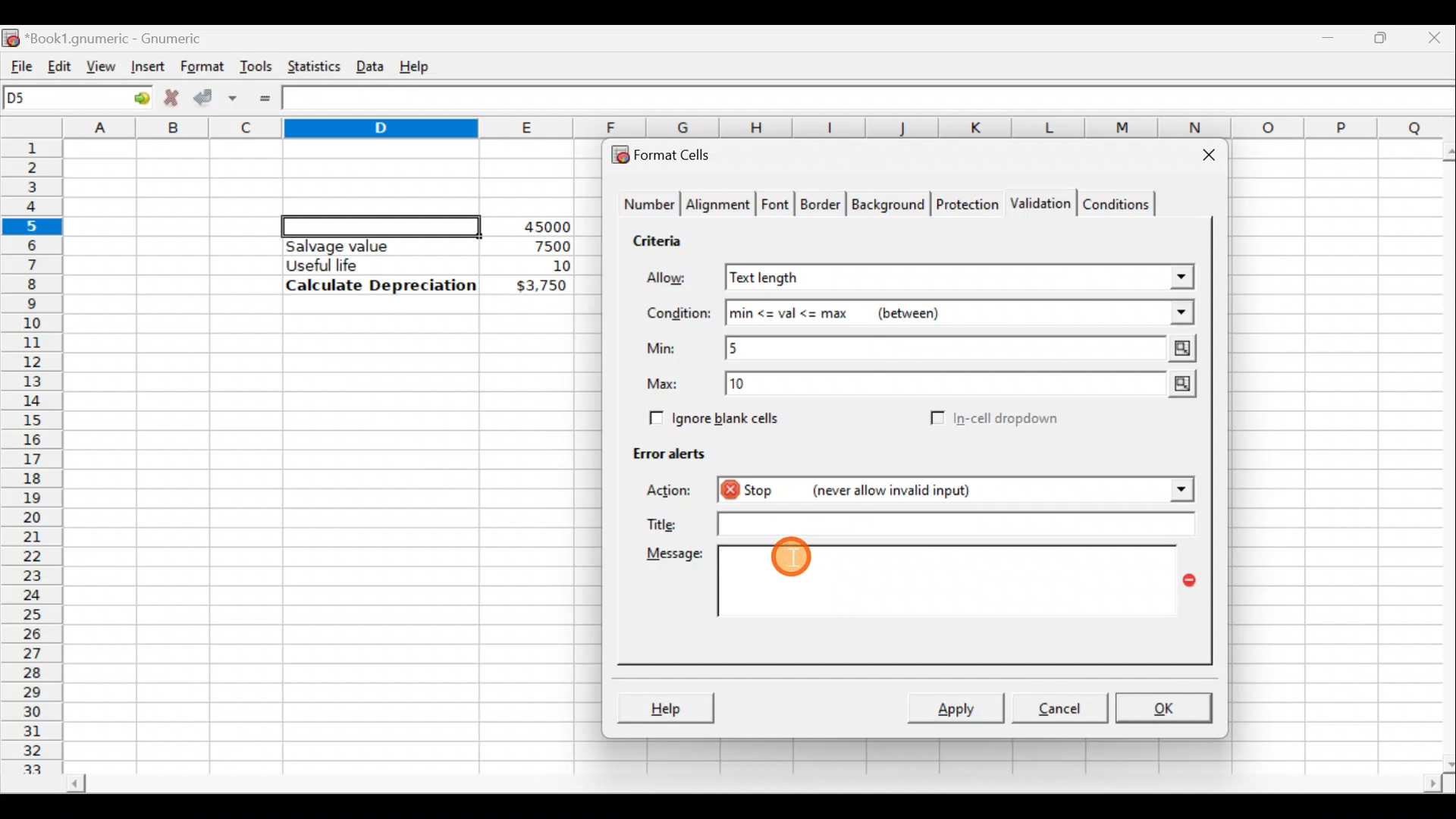  I want to click on View, so click(102, 65).